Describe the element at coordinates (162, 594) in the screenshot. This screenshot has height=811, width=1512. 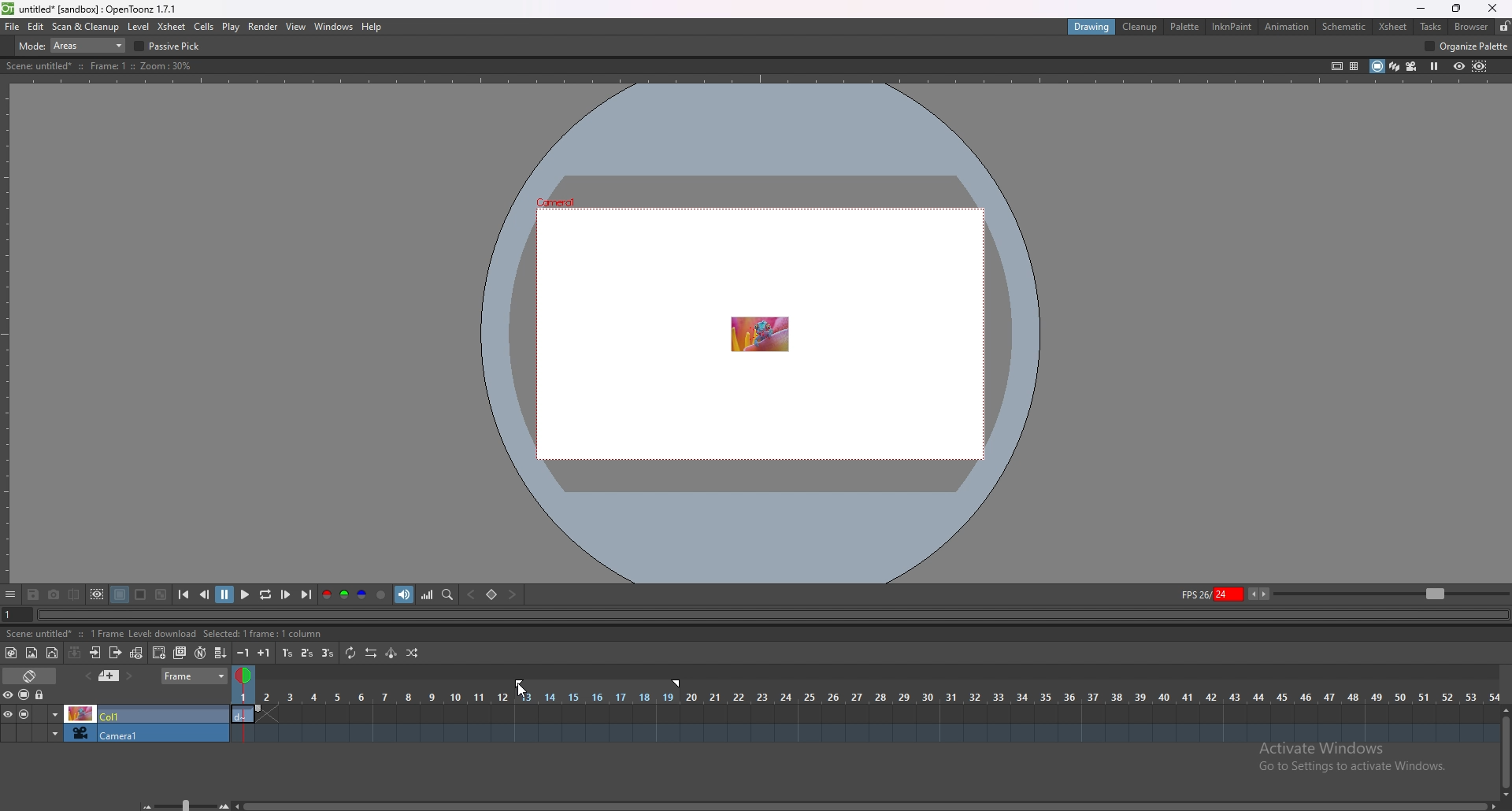
I see `checkered background` at that location.